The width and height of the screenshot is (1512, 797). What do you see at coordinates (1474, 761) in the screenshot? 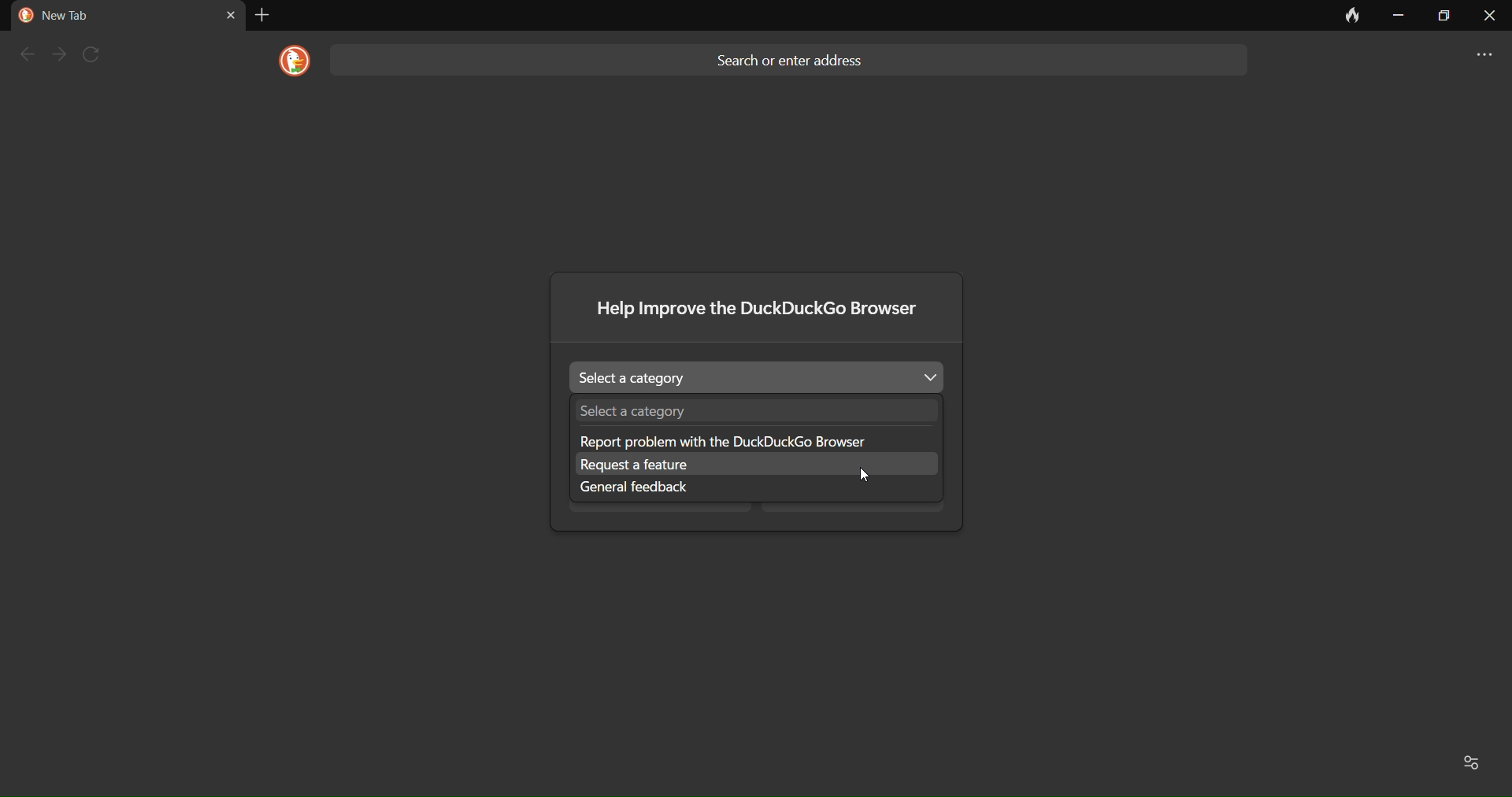
I see `Favorites and recent activity` at bounding box center [1474, 761].